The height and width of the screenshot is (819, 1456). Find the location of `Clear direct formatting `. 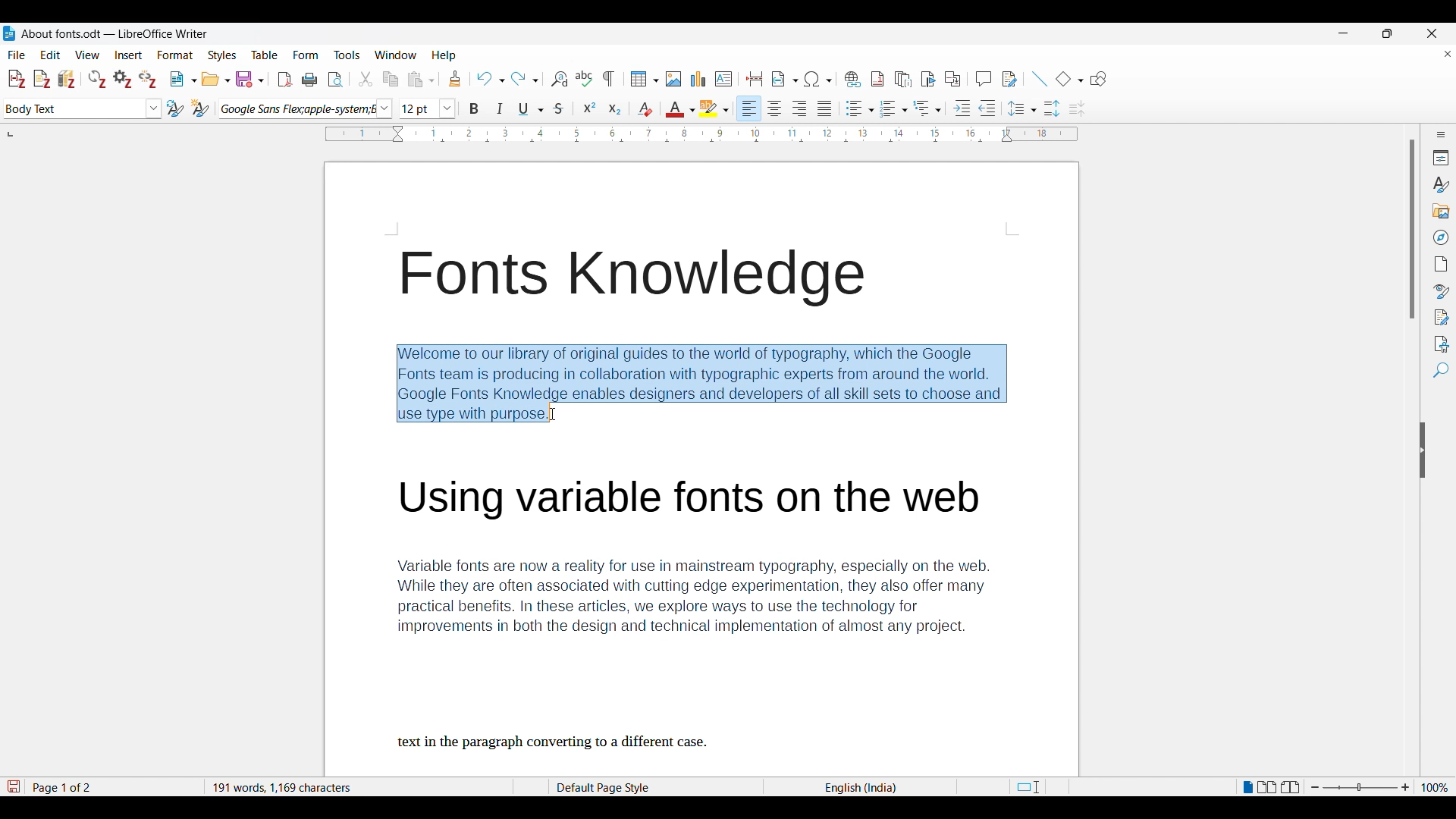

Clear direct formatting  is located at coordinates (645, 109).